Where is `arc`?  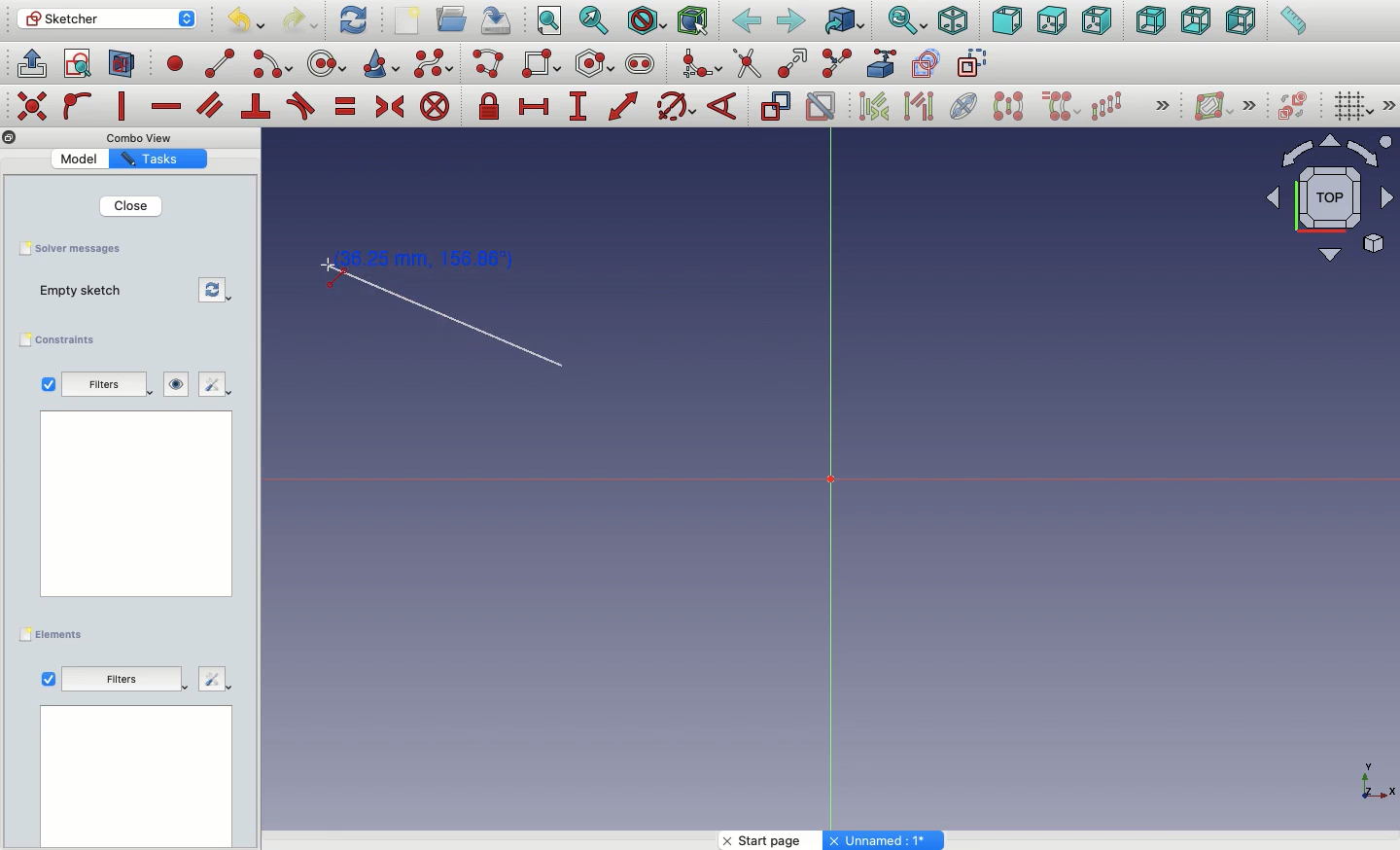
arc is located at coordinates (273, 64).